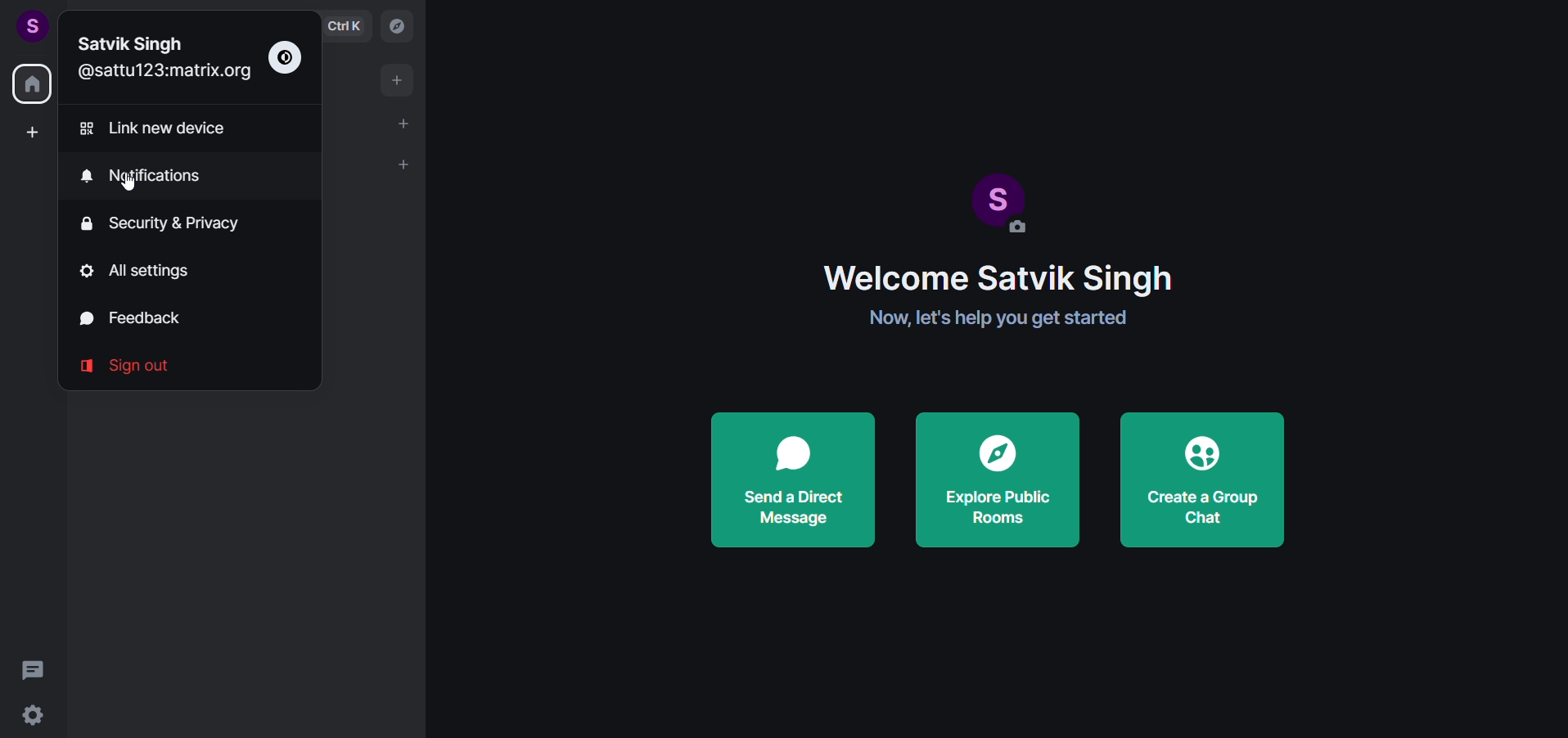 The image size is (1568, 738). I want to click on add, so click(396, 79).